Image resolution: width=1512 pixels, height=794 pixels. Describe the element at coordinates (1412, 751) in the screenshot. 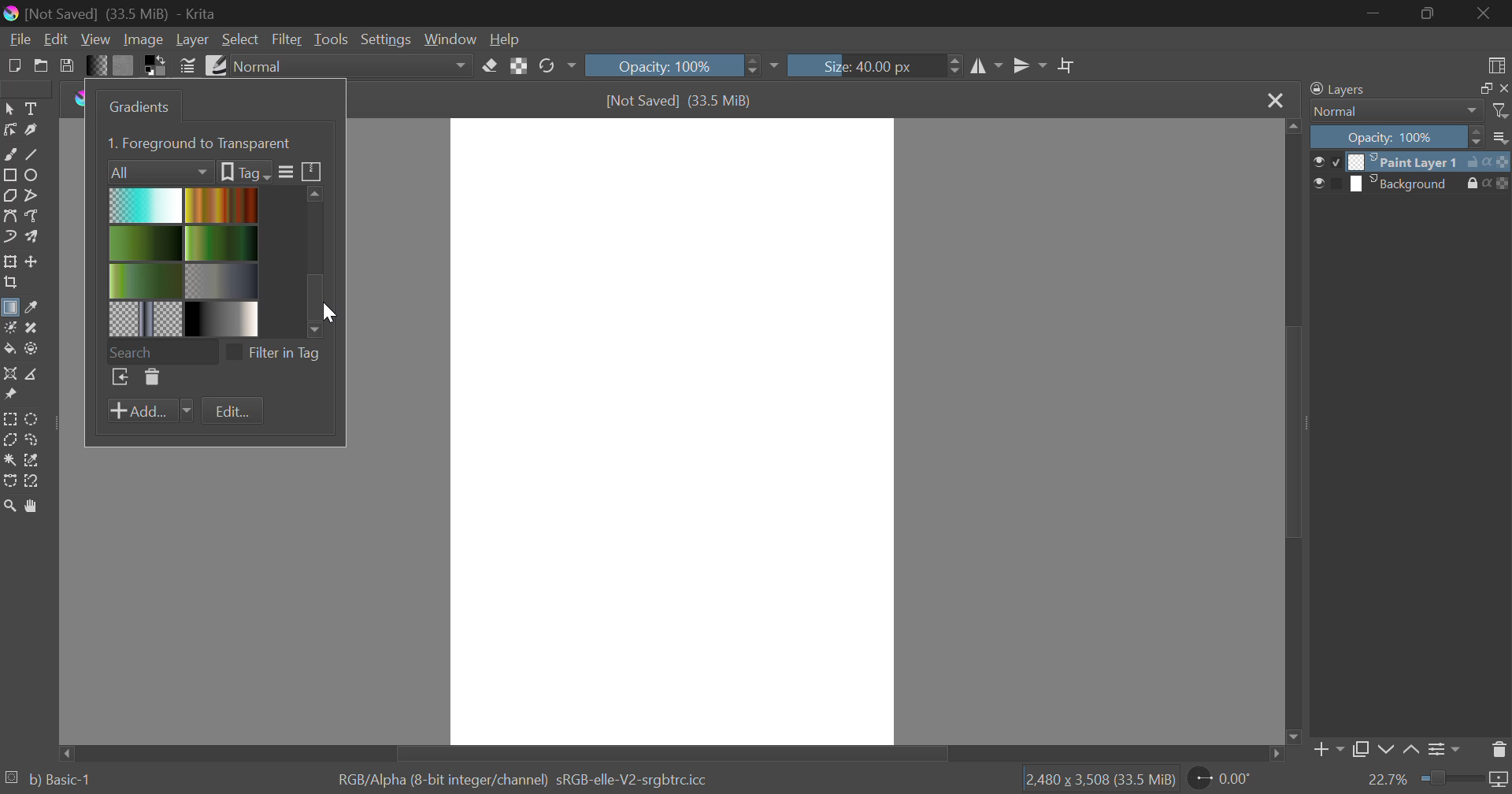

I see `Move Layer Up` at that location.